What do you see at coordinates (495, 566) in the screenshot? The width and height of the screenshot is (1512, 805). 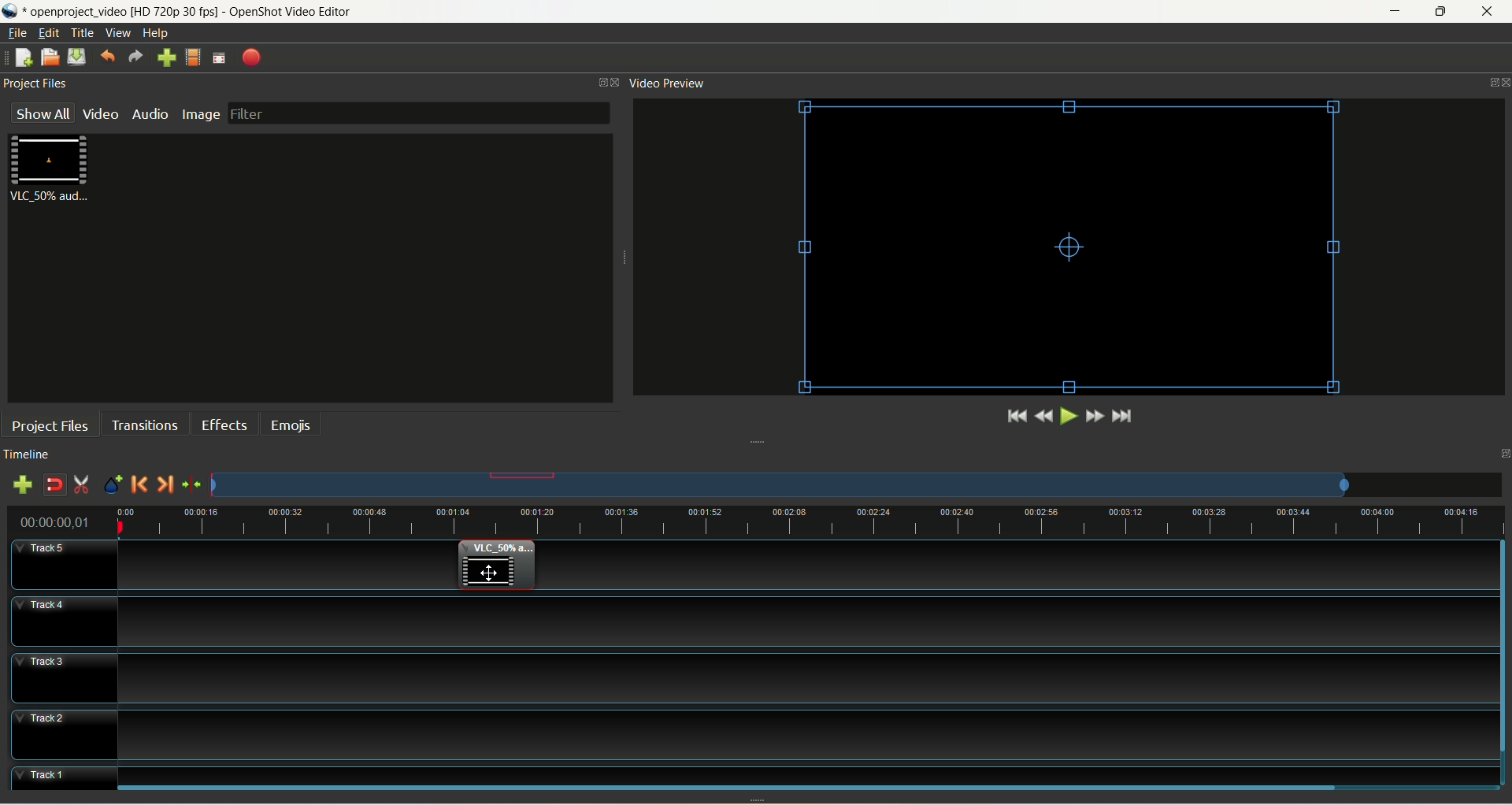 I see `video clip` at bounding box center [495, 566].